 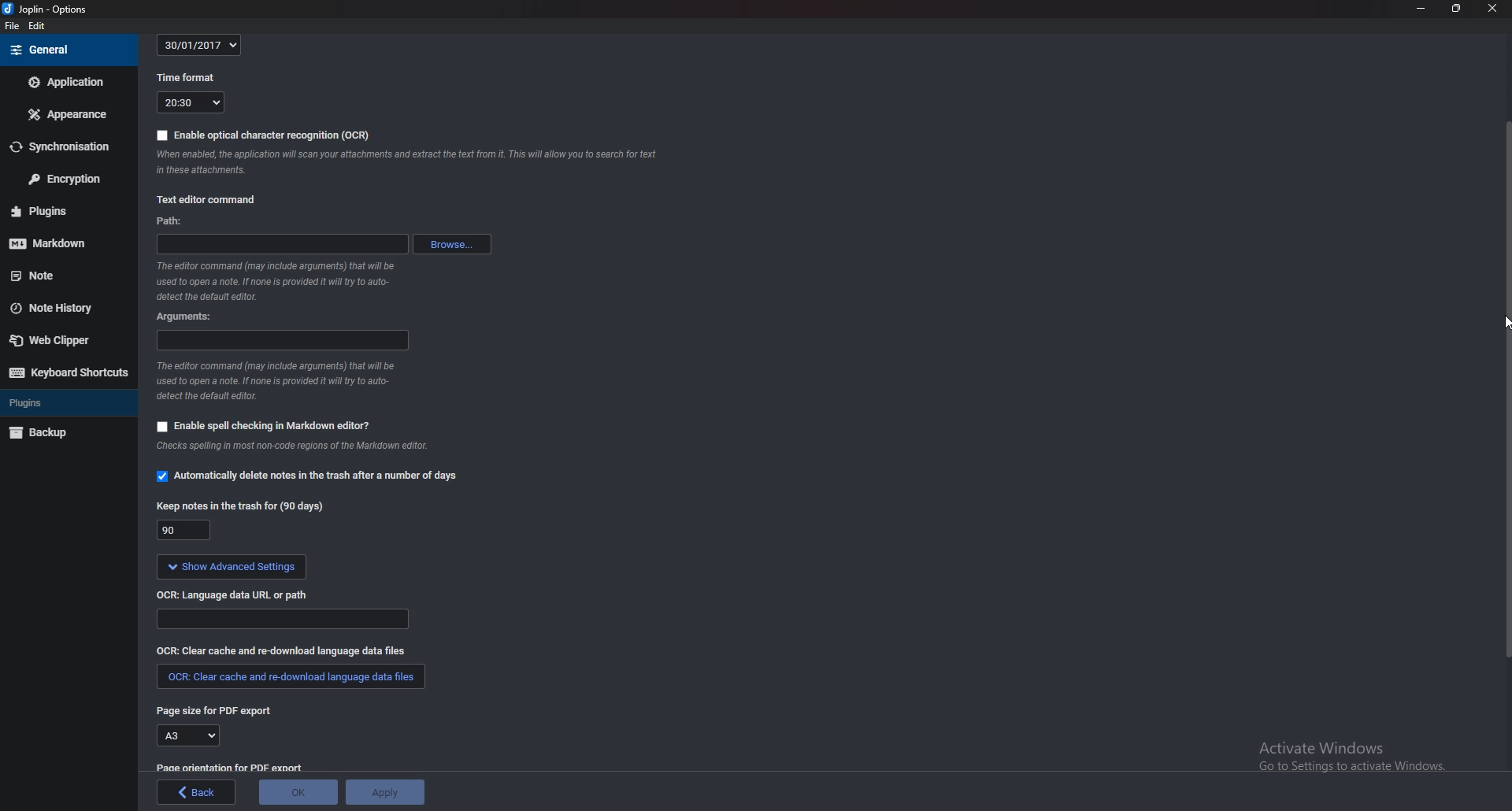 What do you see at coordinates (410, 161) in the screenshot?
I see `Info` at bounding box center [410, 161].